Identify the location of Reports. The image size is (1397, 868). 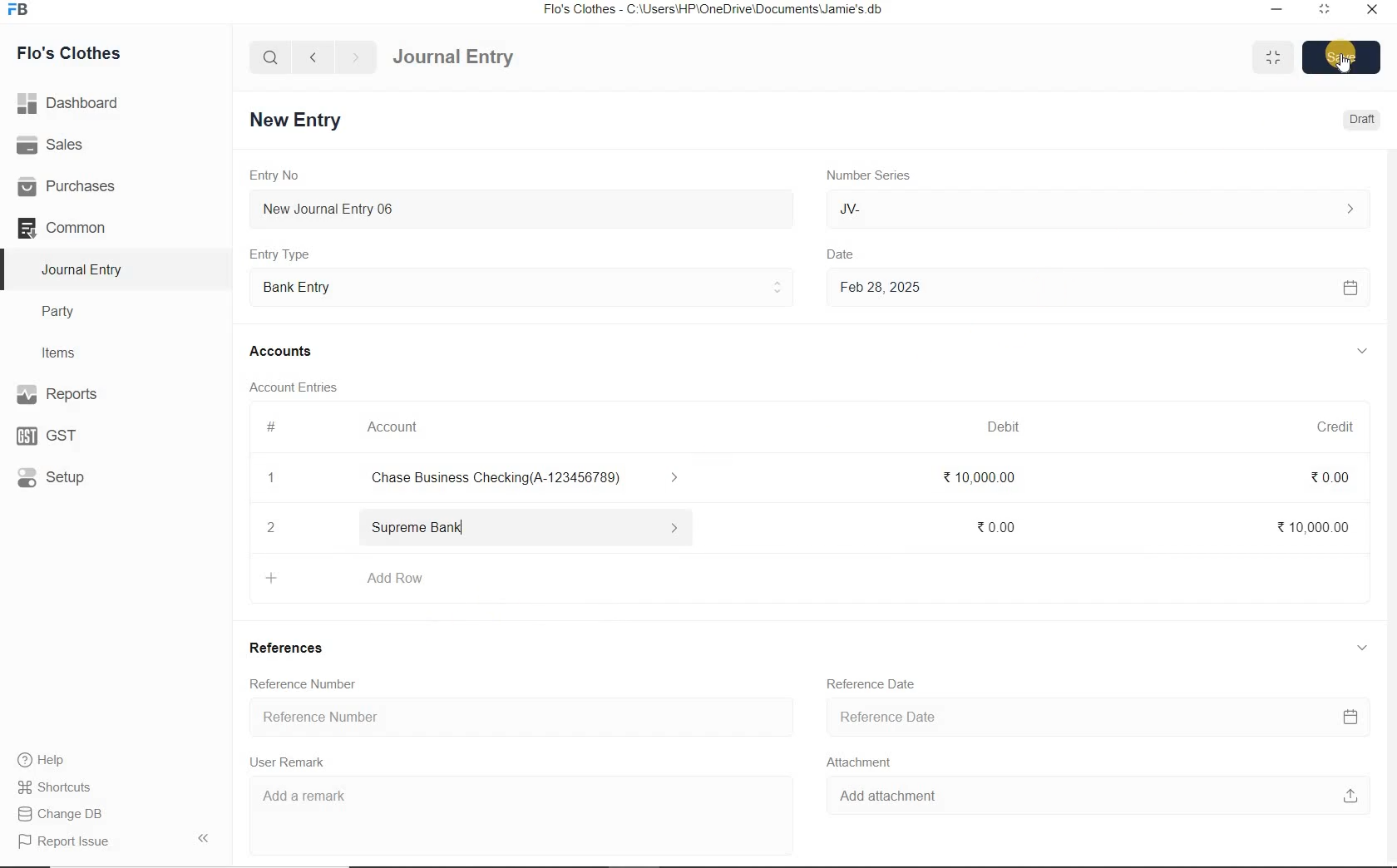
(83, 396).